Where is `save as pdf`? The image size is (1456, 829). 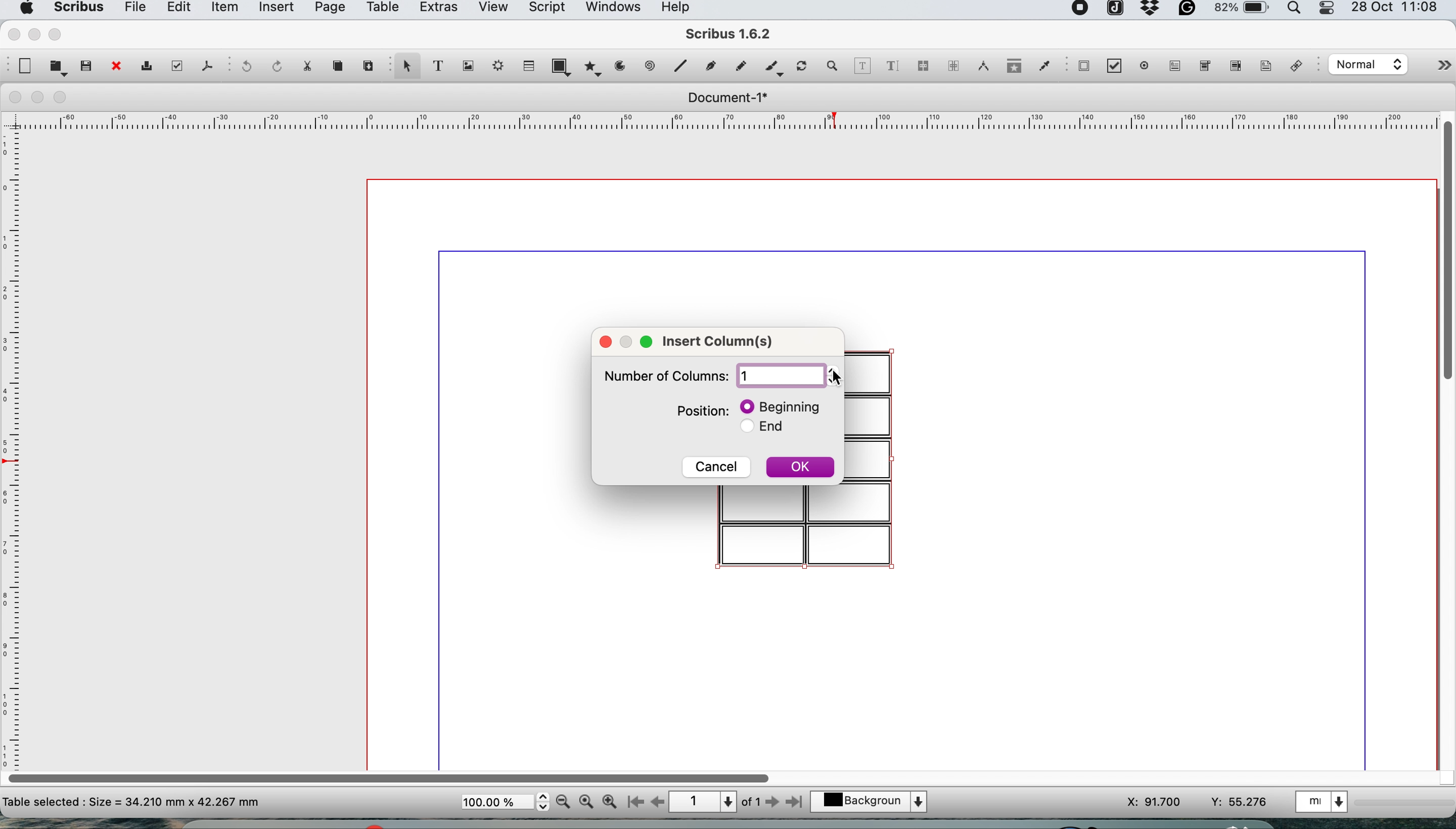
save as pdf is located at coordinates (206, 65).